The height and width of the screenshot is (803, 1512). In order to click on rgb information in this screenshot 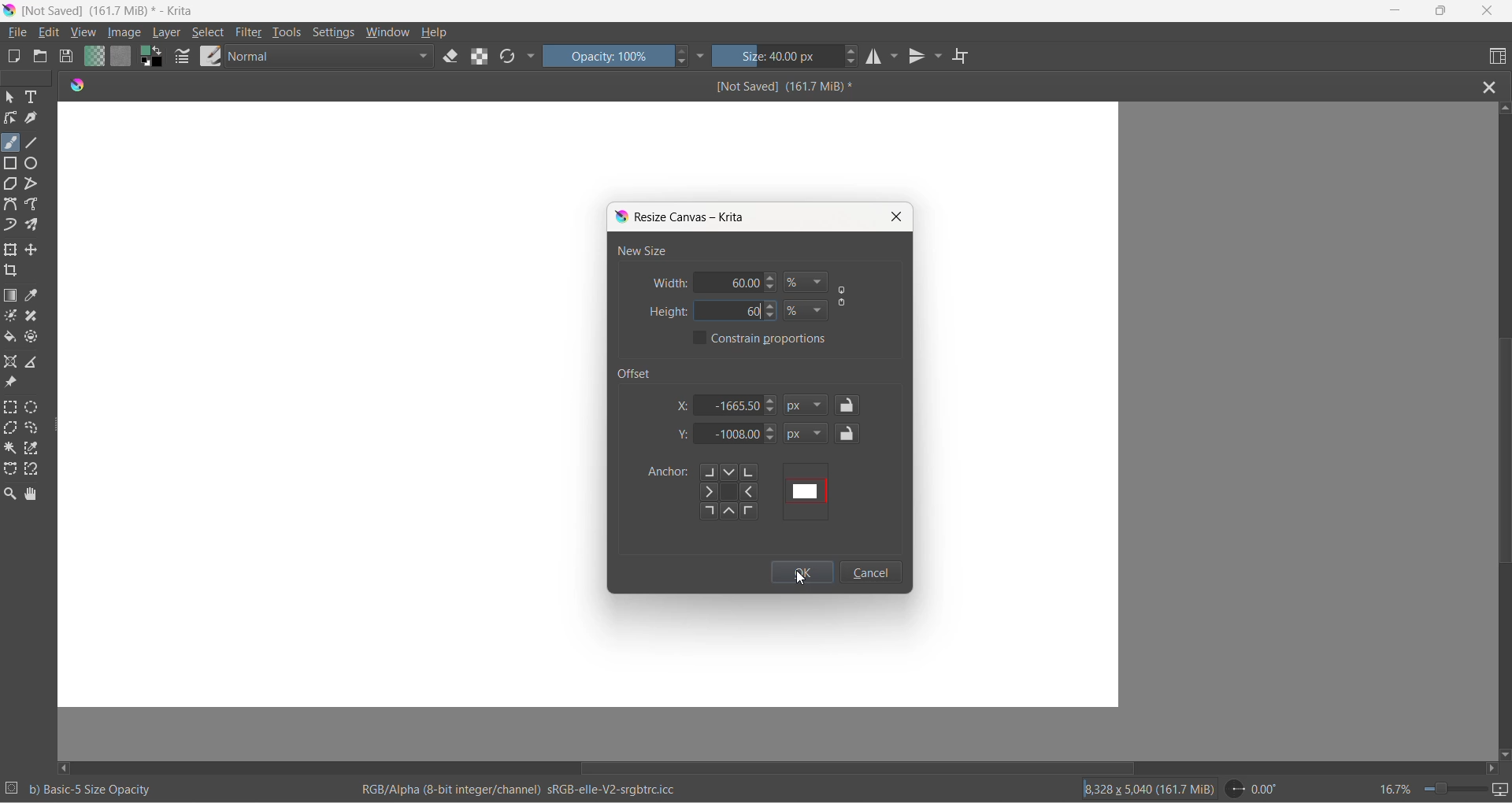, I will do `click(527, 790)`.